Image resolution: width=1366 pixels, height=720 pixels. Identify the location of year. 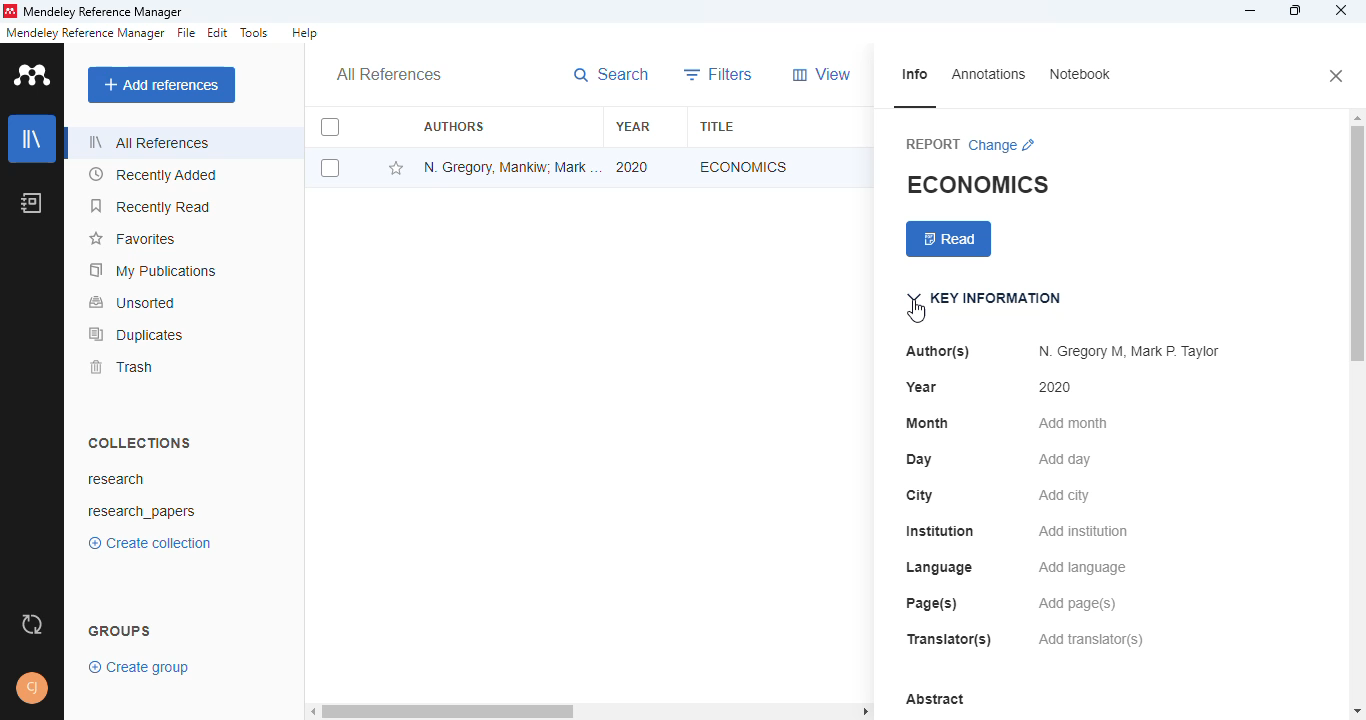
(633, 126).